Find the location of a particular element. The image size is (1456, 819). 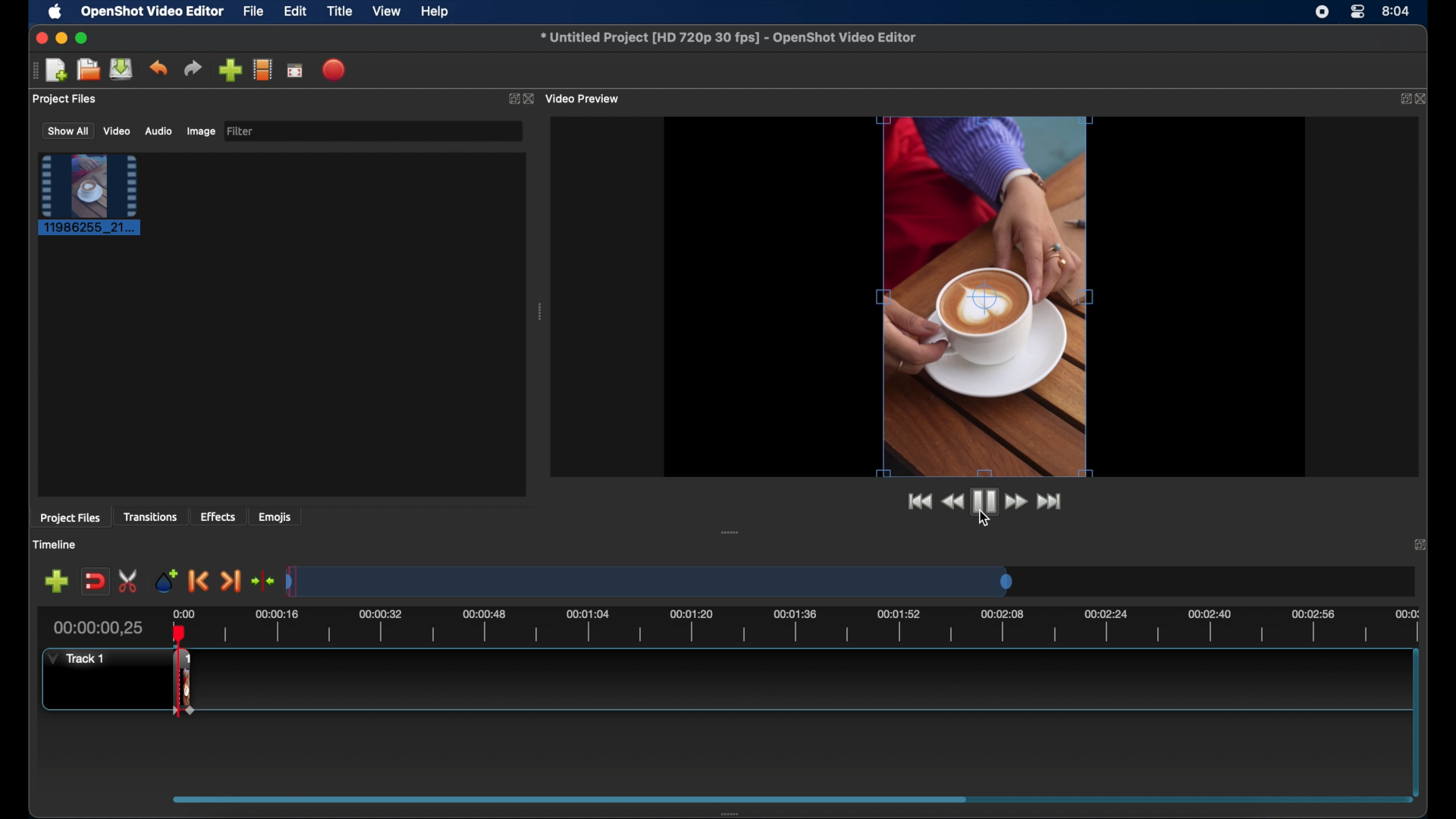

rewind is located at coordinates (953, 502).